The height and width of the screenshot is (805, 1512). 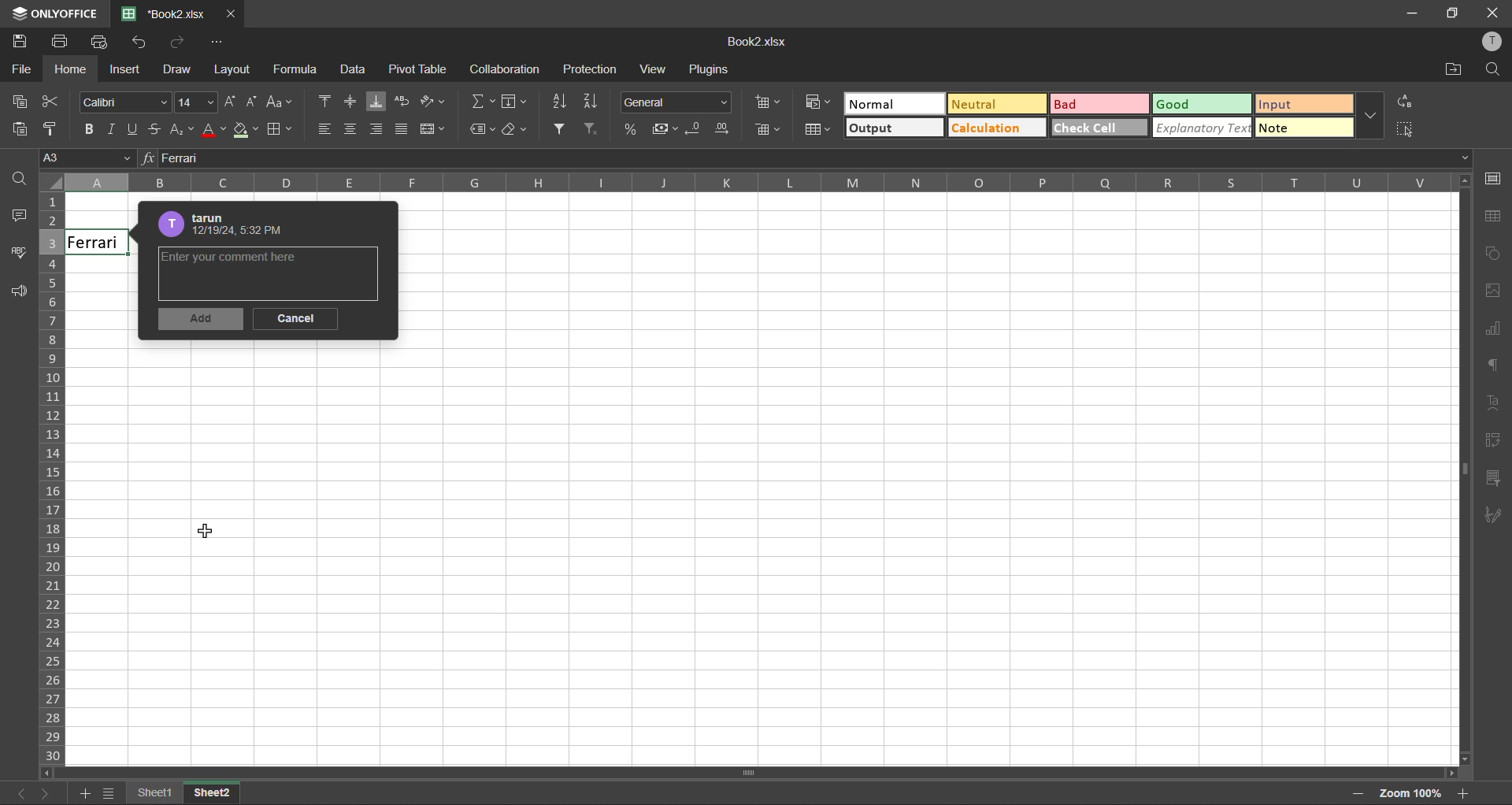 I want to click on Book2.xlsx, so click(x=758, y=42).